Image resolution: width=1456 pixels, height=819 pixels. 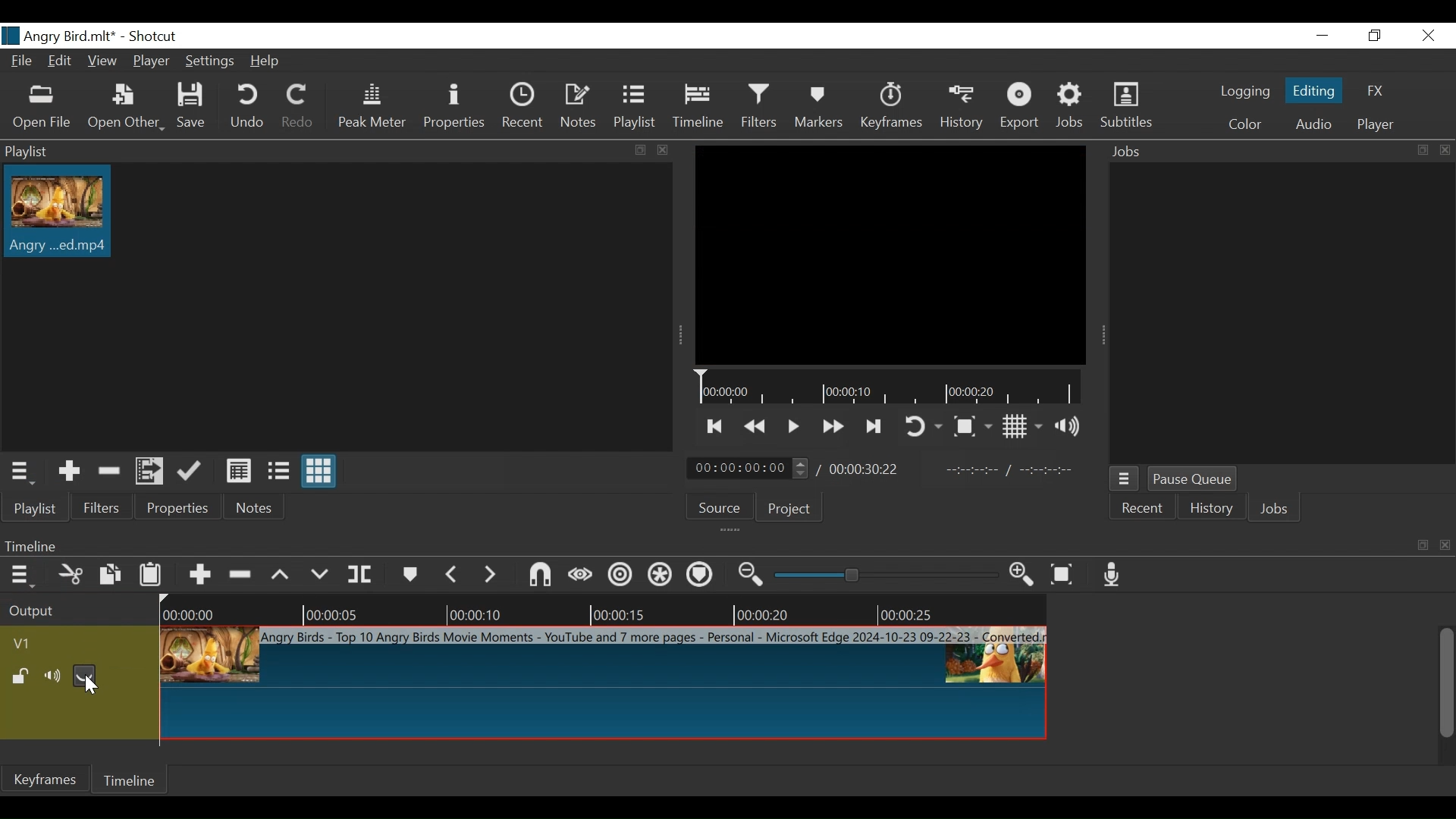 What do you see at coordinates (579, 107) in the screenshot?
I see `Notes` at bounding box center [579, 107].